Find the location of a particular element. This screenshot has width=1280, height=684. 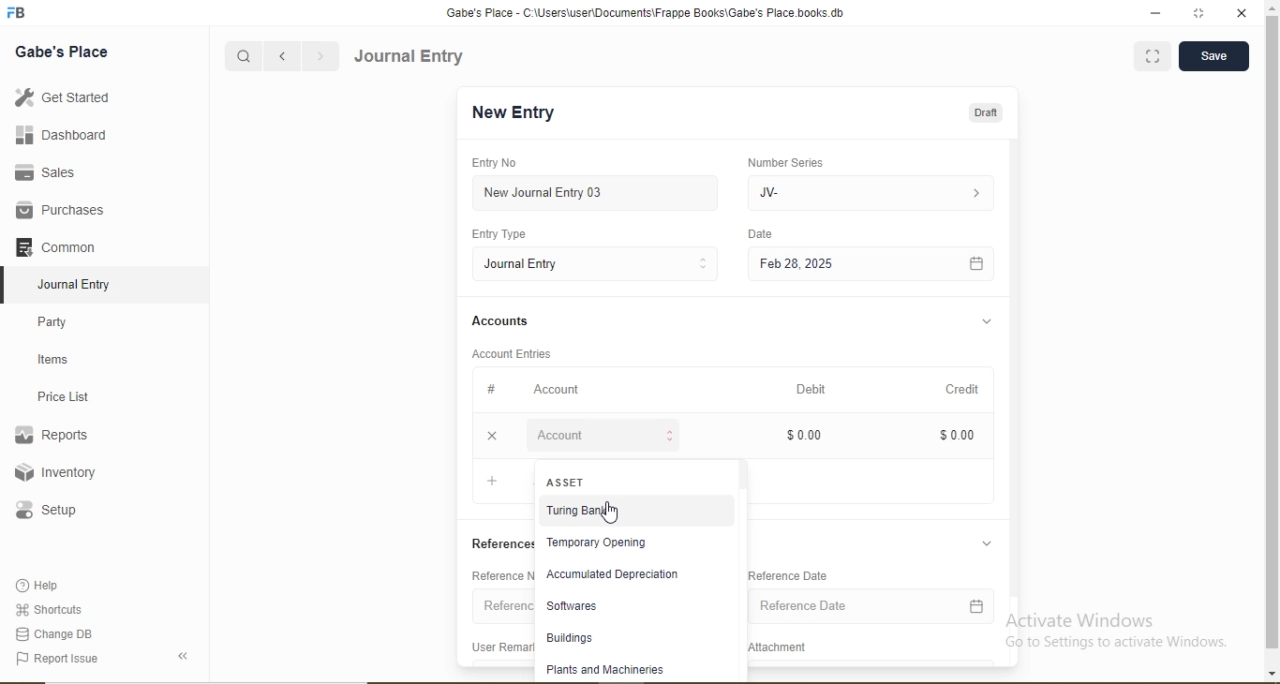

Calendar is located at coordinates (978, 607).